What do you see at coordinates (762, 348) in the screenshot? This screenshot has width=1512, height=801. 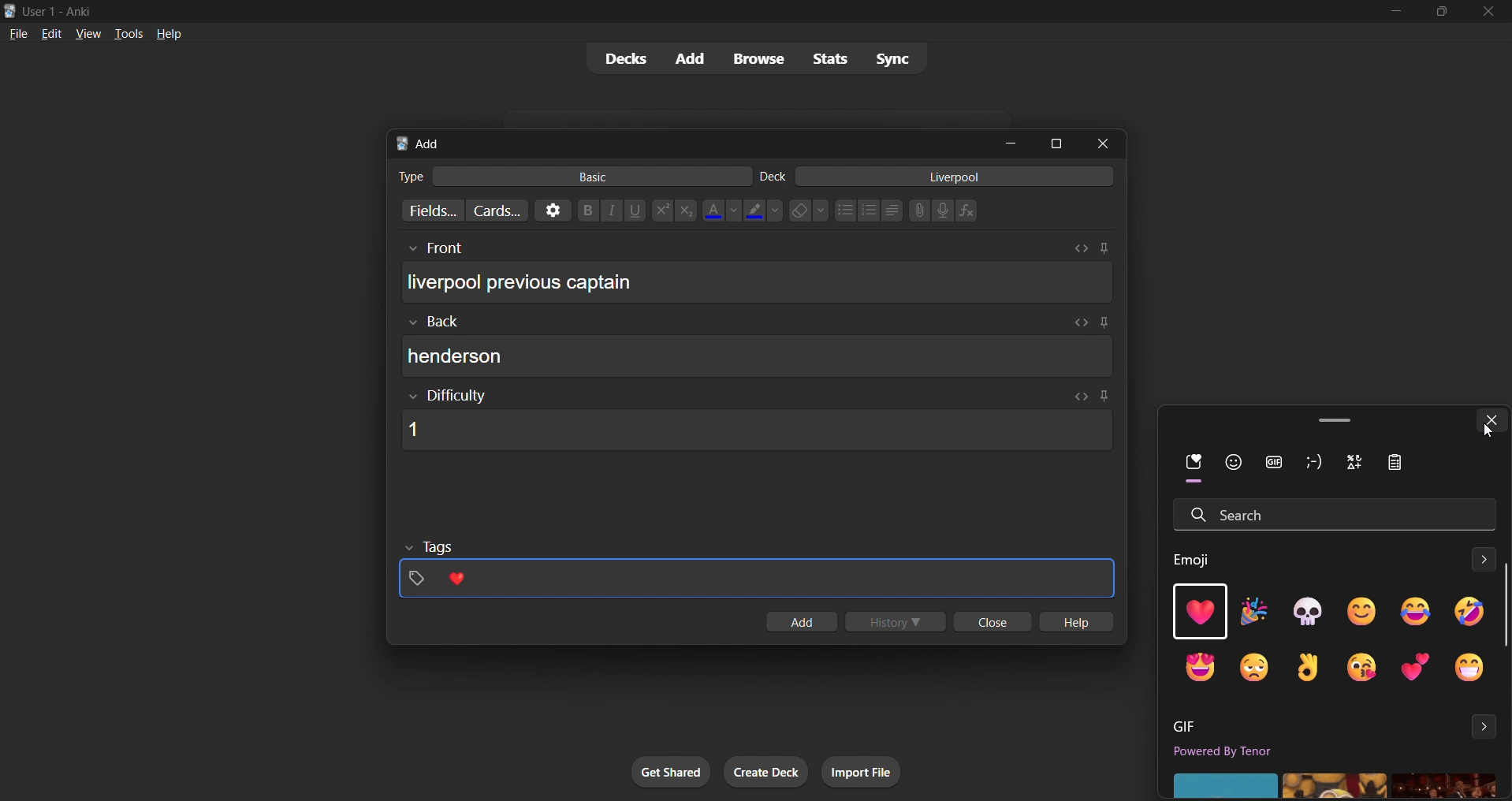 I see `card back input box` at bounding box center [762, 348].